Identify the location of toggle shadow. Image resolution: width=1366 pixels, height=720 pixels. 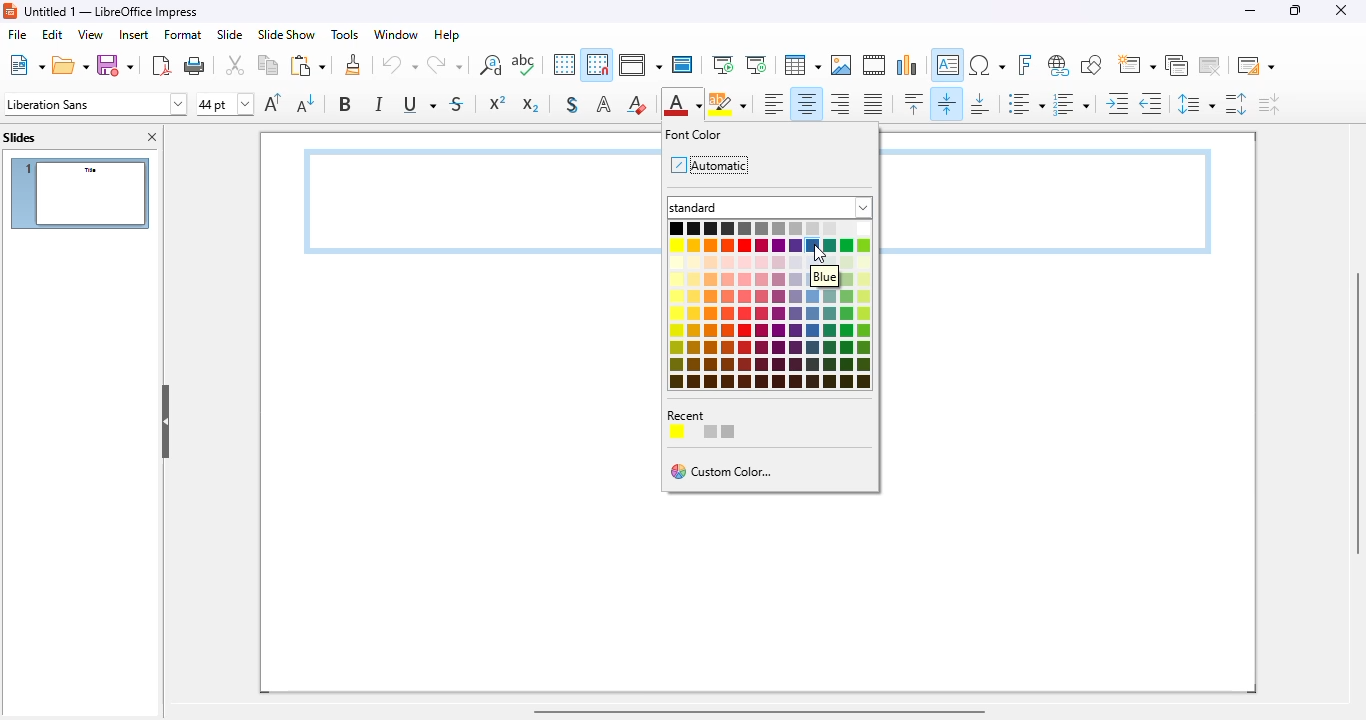
(573, 105).